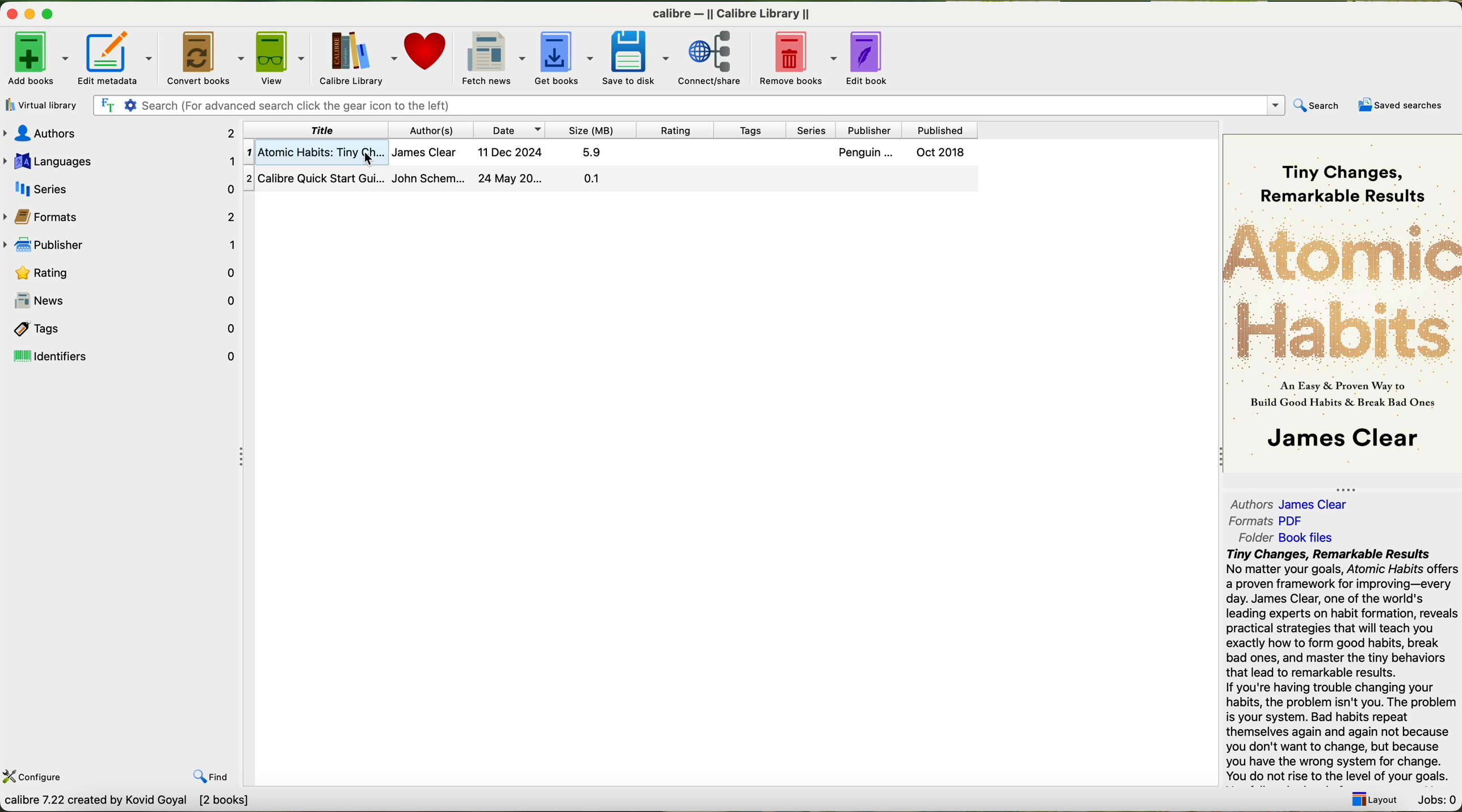  I want to click on search, so click(1316, 105).